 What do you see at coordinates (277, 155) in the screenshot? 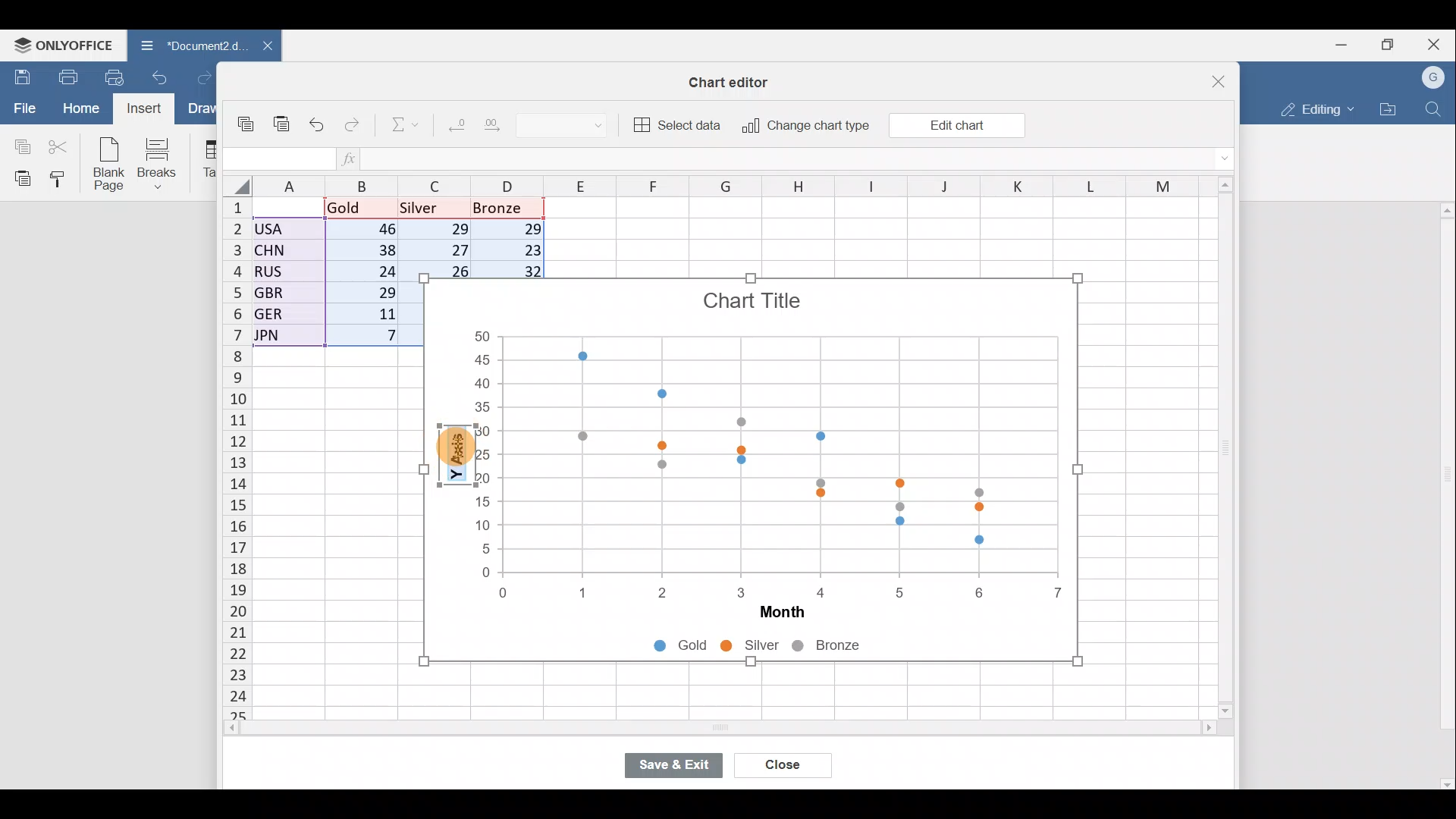
I see `Cell name` at bounding box center [277, 155].